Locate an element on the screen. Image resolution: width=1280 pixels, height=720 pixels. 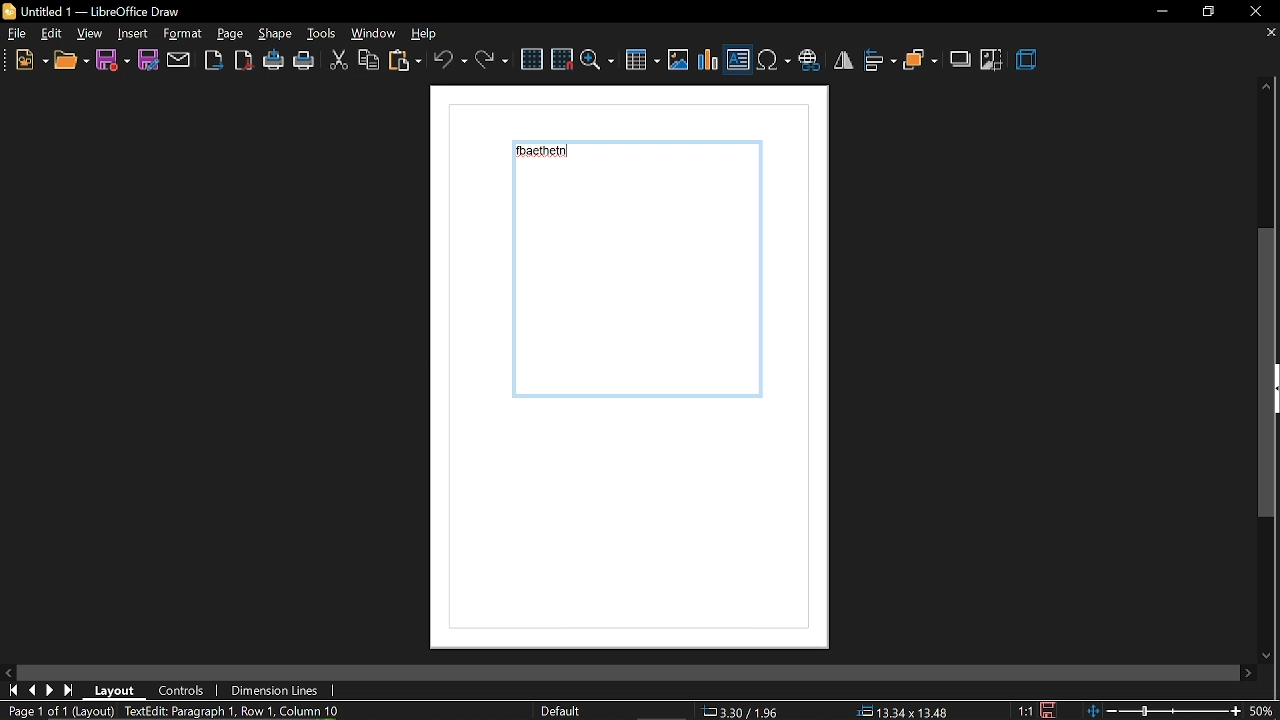
save is located at coordinates (114, 61).